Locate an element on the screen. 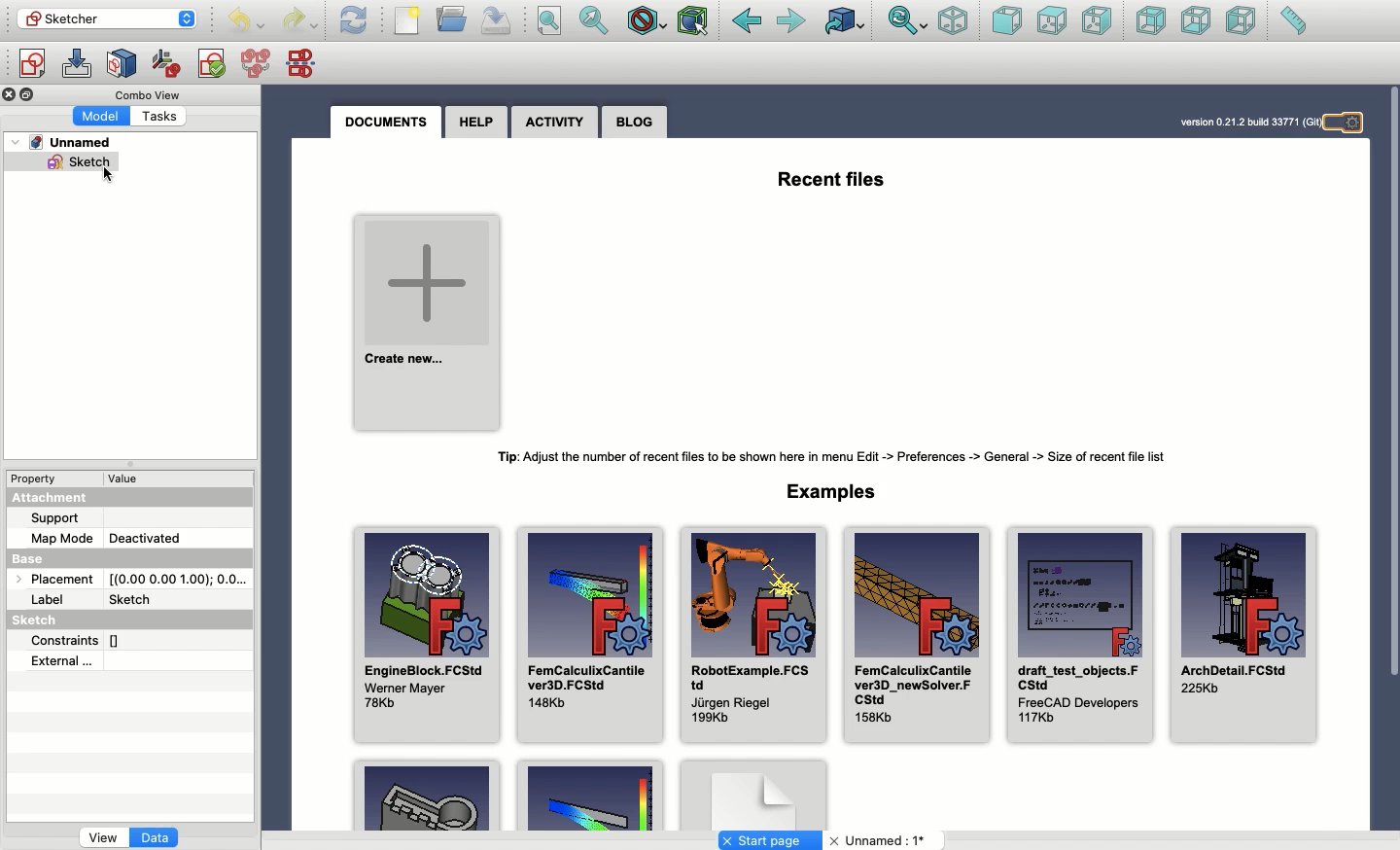 This screenshot has height=850, width=1400. Map mode is located at coordinates (62, 536).